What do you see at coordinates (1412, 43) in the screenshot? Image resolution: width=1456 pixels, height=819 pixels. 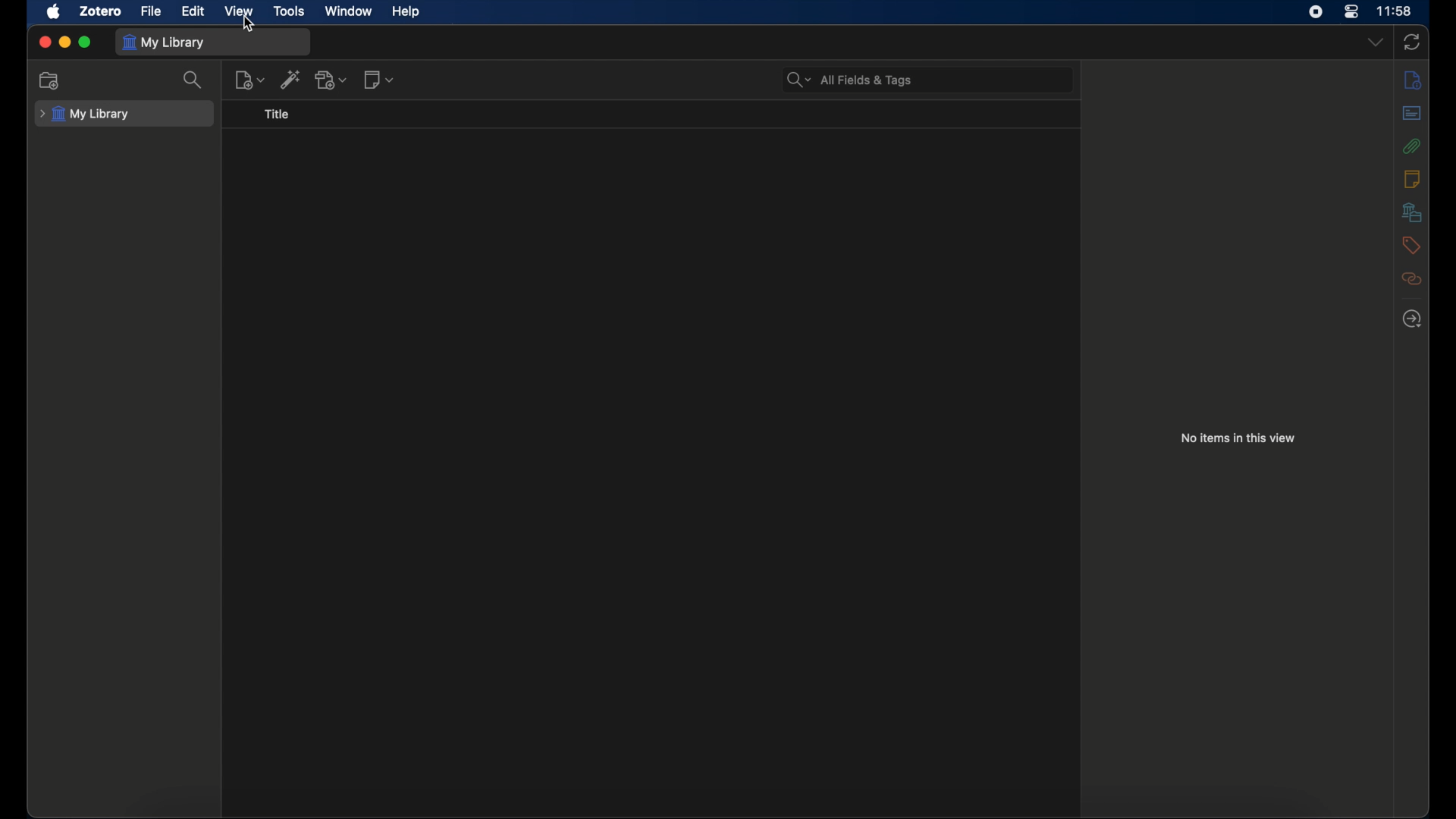 I see `sync` at bounding box center [1412, 43].